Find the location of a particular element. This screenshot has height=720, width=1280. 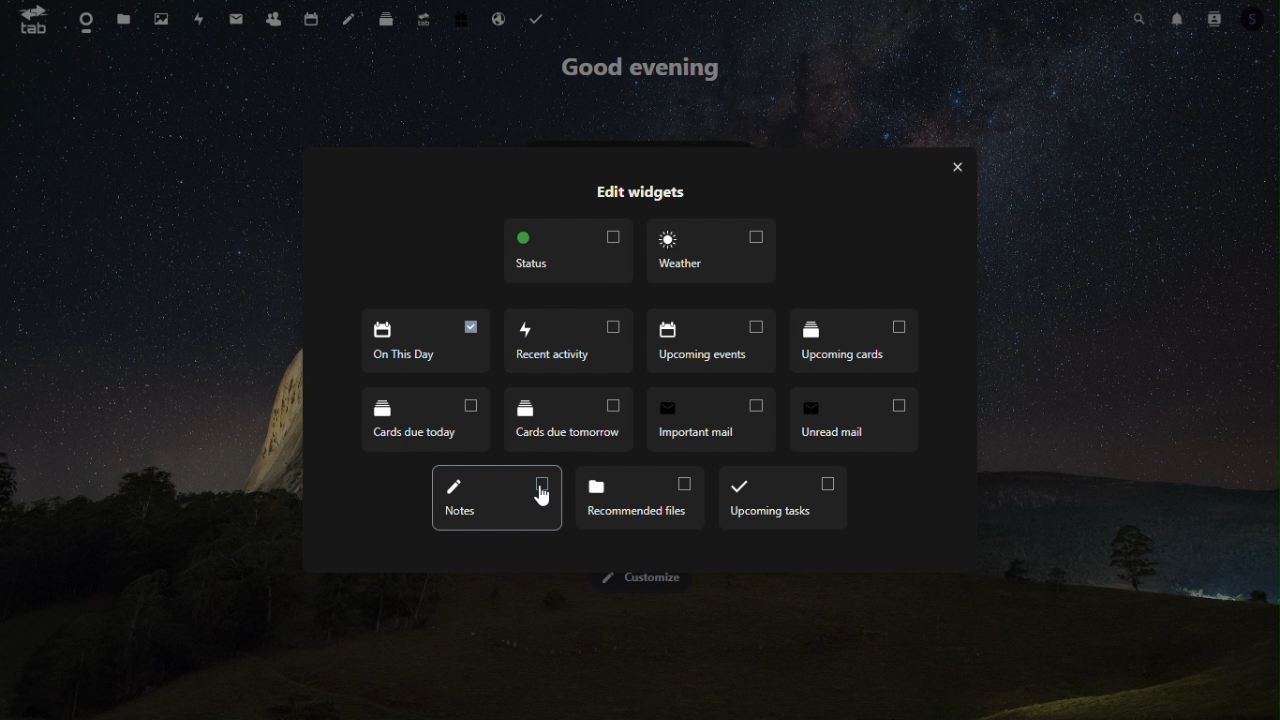

Upcoming tasks is located at coordinates (785, 498).